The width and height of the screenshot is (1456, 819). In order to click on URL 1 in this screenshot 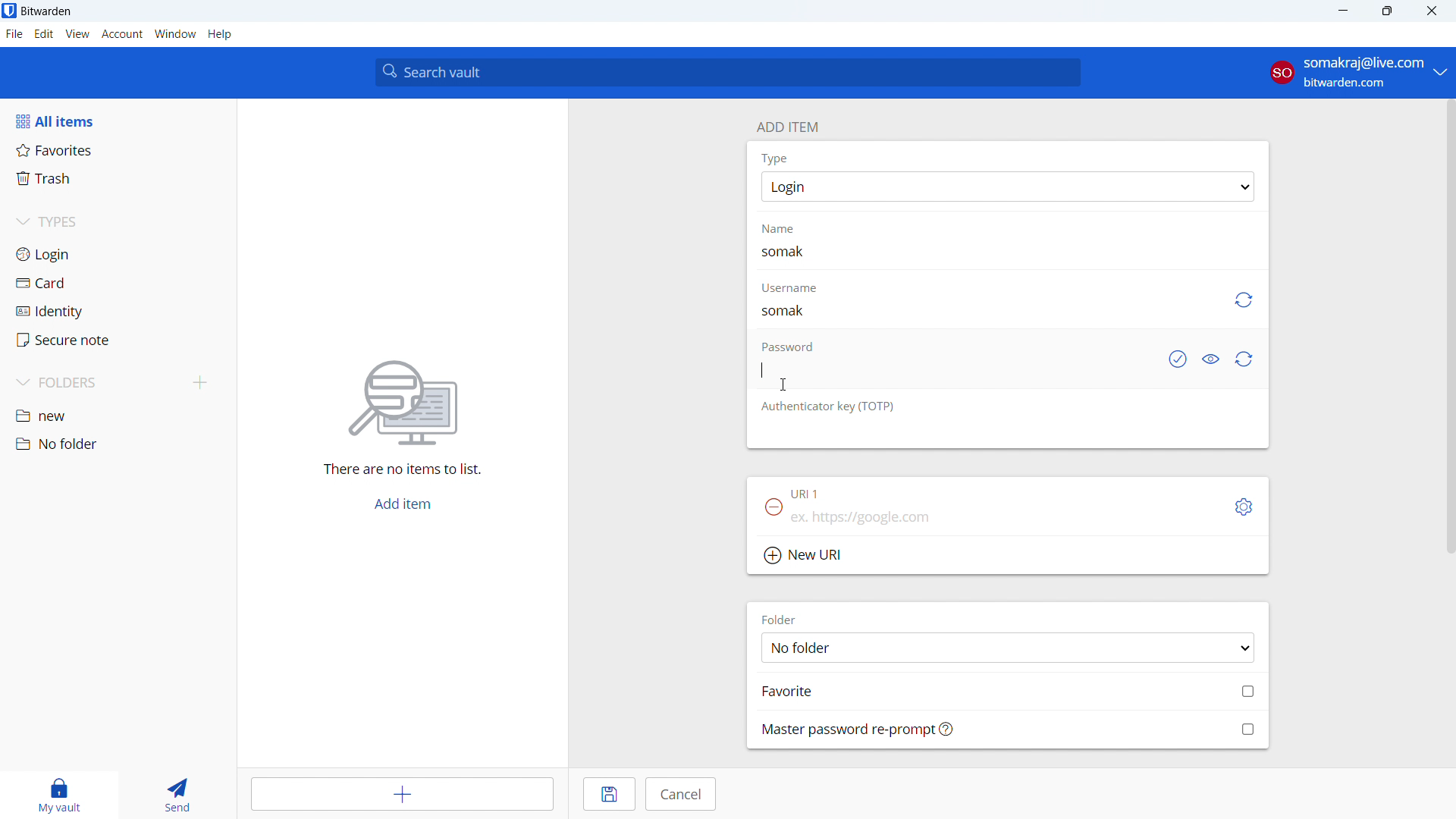, I will do `click(808, 495)`.